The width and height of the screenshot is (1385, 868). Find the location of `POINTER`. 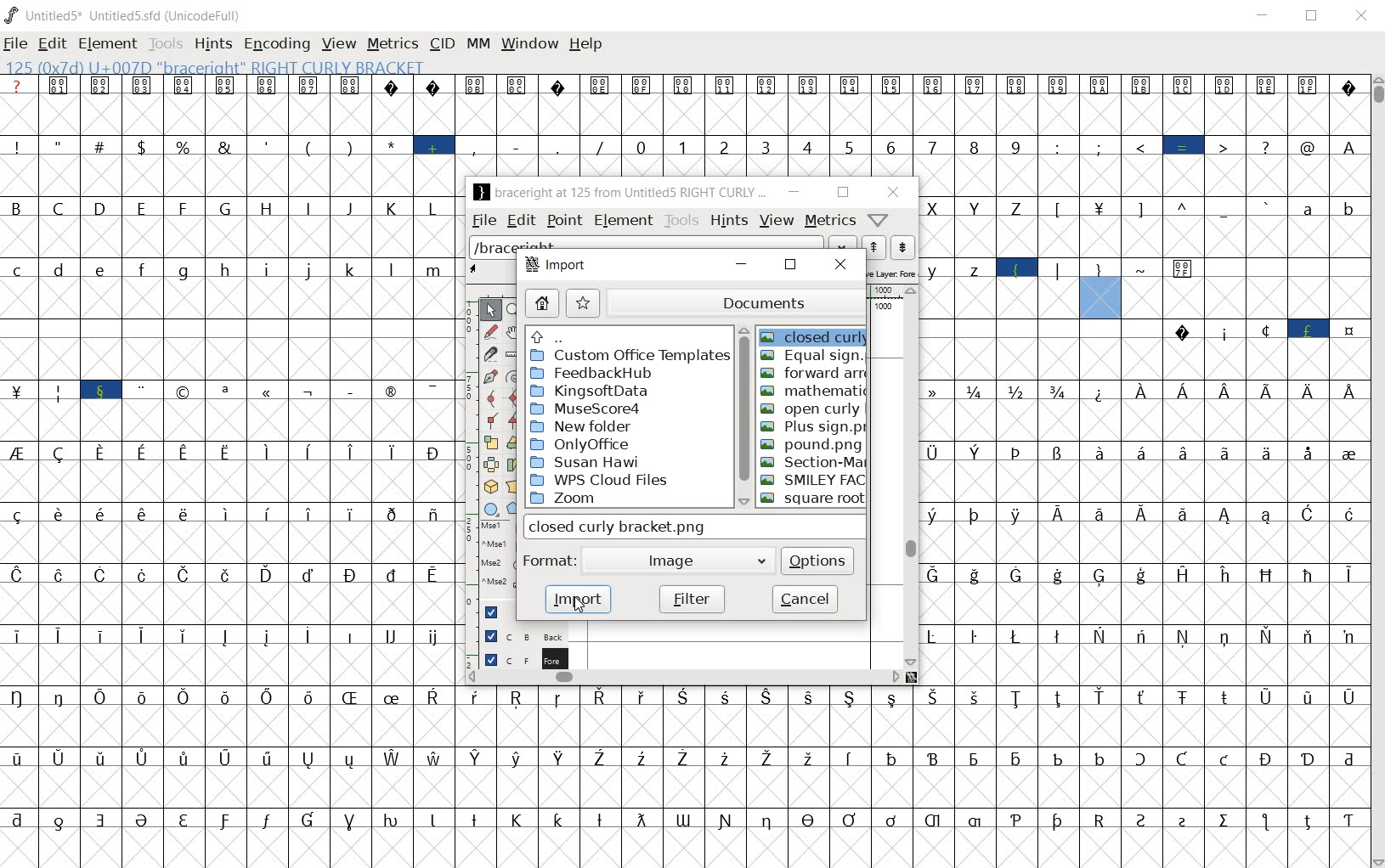

POINTER is located at coordinates (491, 309).